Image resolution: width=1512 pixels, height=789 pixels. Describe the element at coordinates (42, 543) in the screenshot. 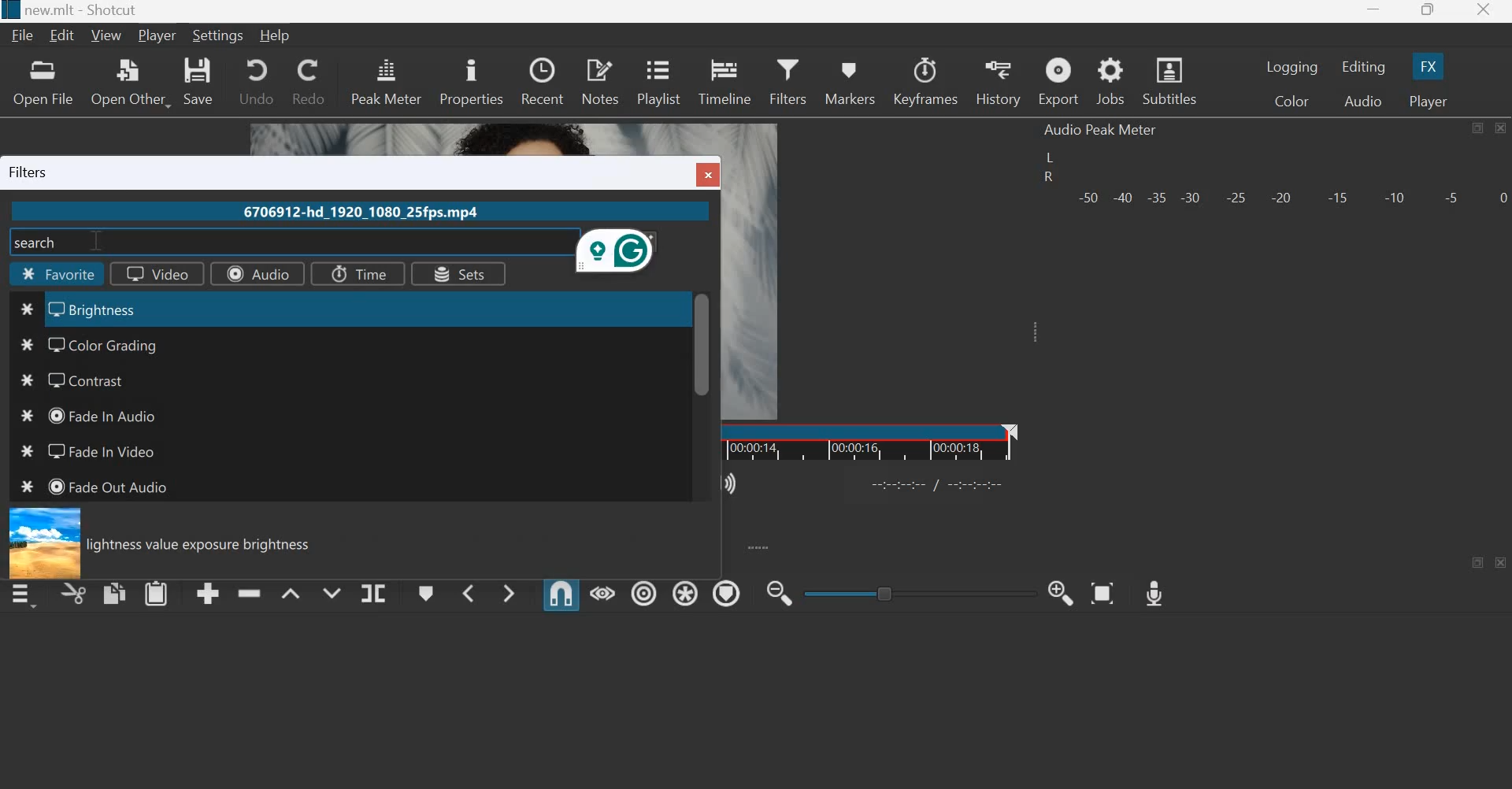

I see `` at that location.